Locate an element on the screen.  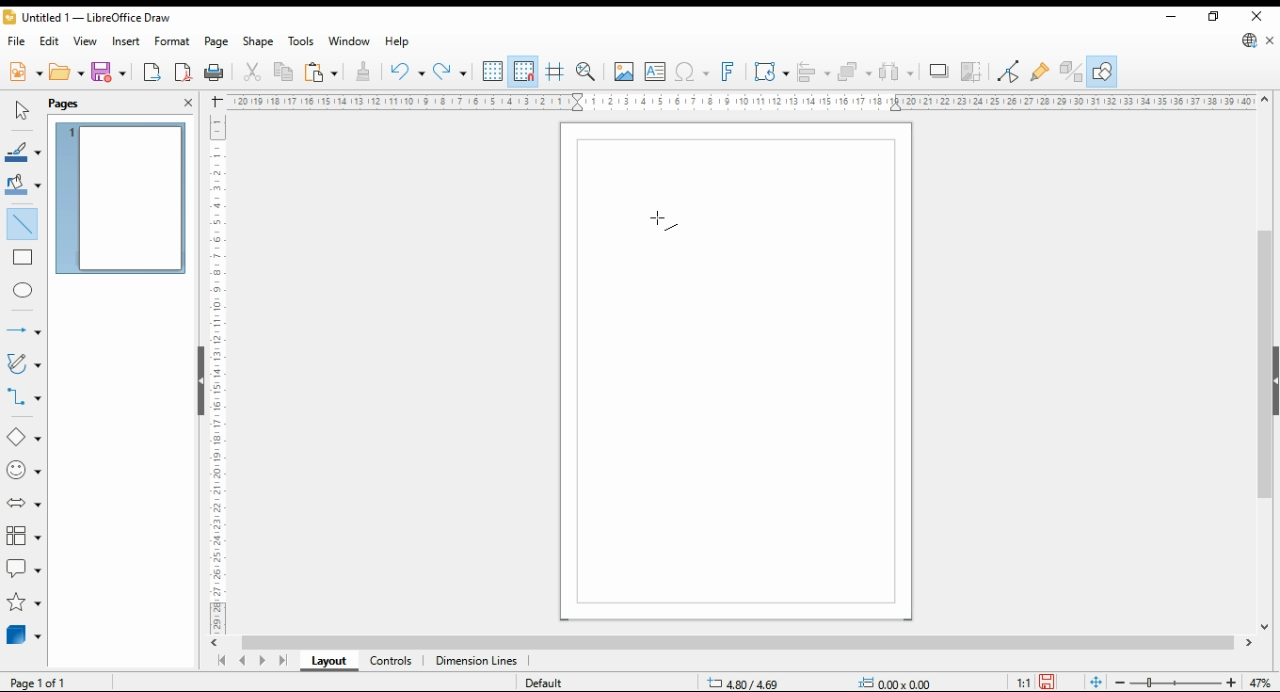
select is located at coordinates (19, 111).